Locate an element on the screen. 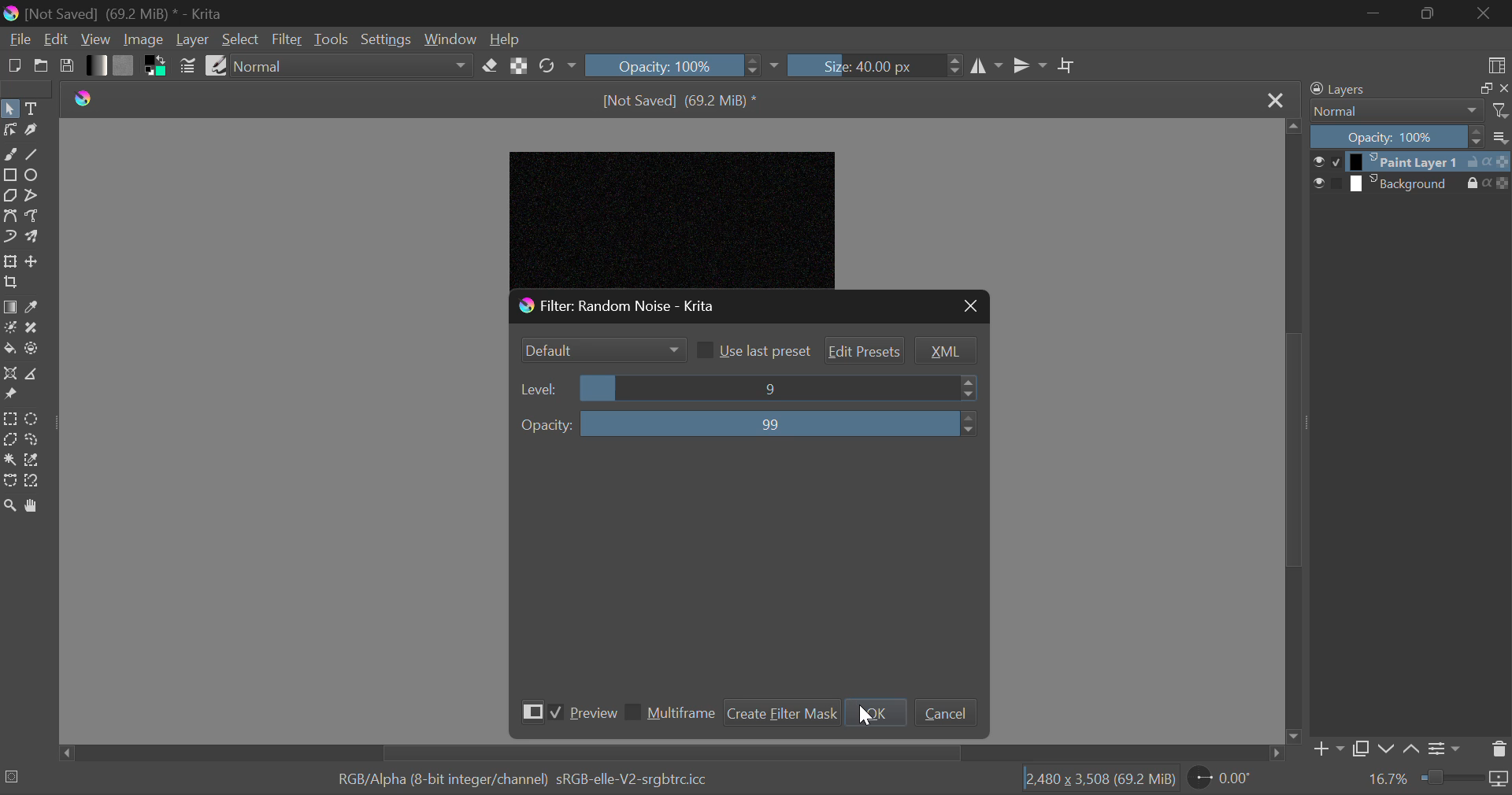 The height and width of the screenshot is (795, 1512). View is located at coordinates (96, 40).